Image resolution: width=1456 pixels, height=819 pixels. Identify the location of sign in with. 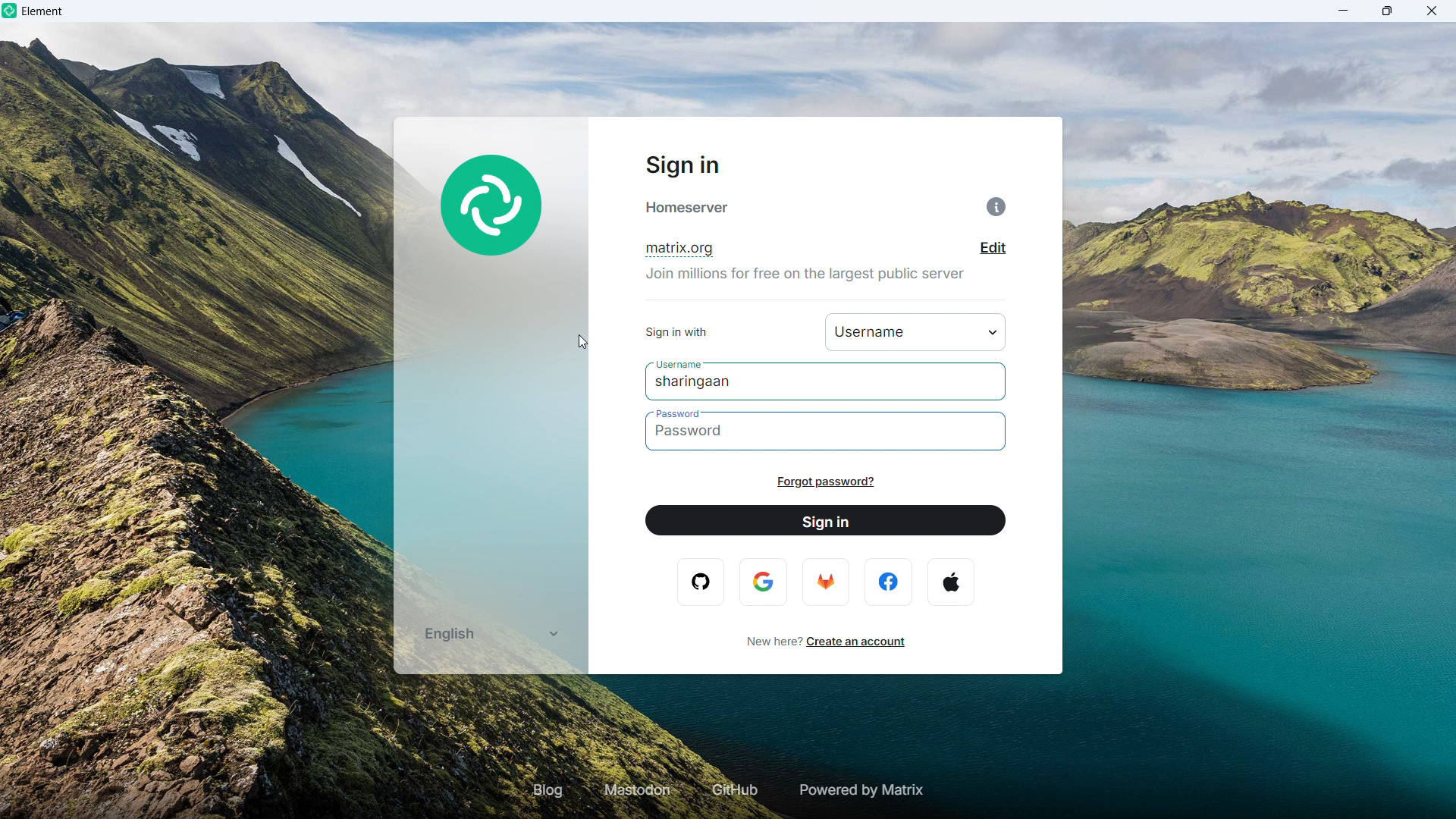
(676, 334).